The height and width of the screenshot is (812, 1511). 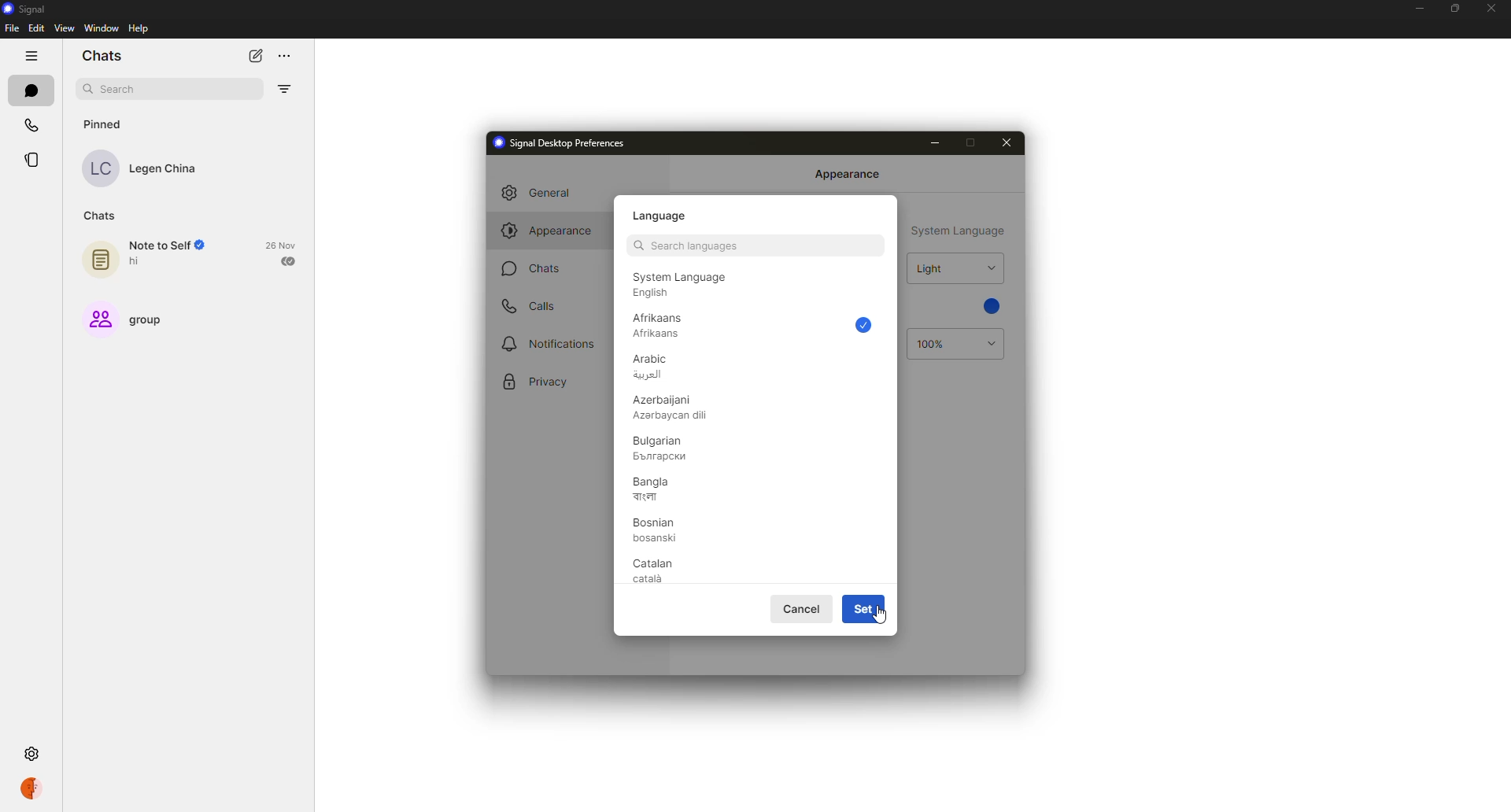 What do you see at coordinates (560, 143) in the screenshot?
I see `signal desktop preferences` at bounding box center [560, 143].